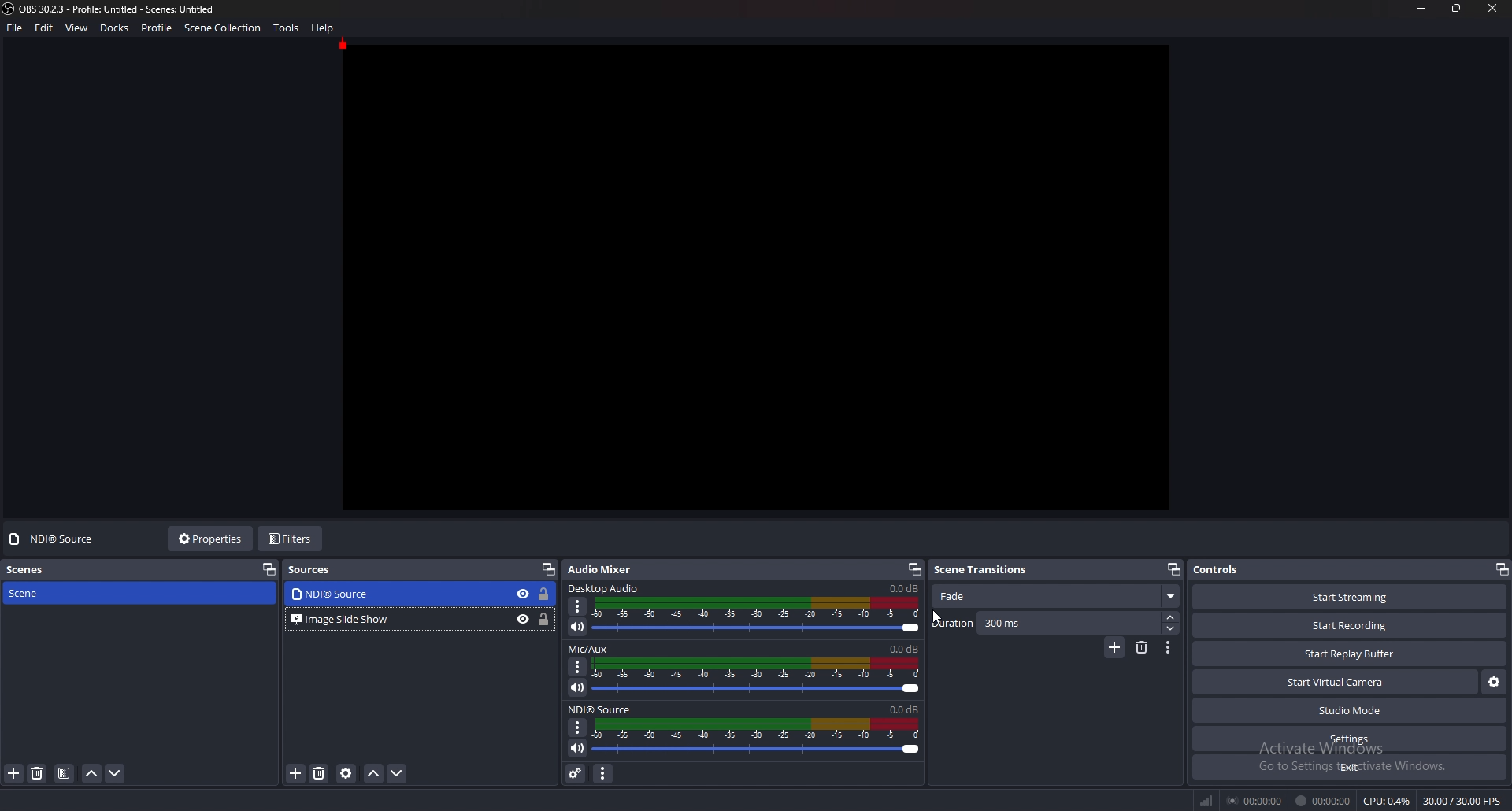  What do you see at coordinates (1141, 649) in the screenshot?
I see `remove transition` at bounding box center [1141, 649].